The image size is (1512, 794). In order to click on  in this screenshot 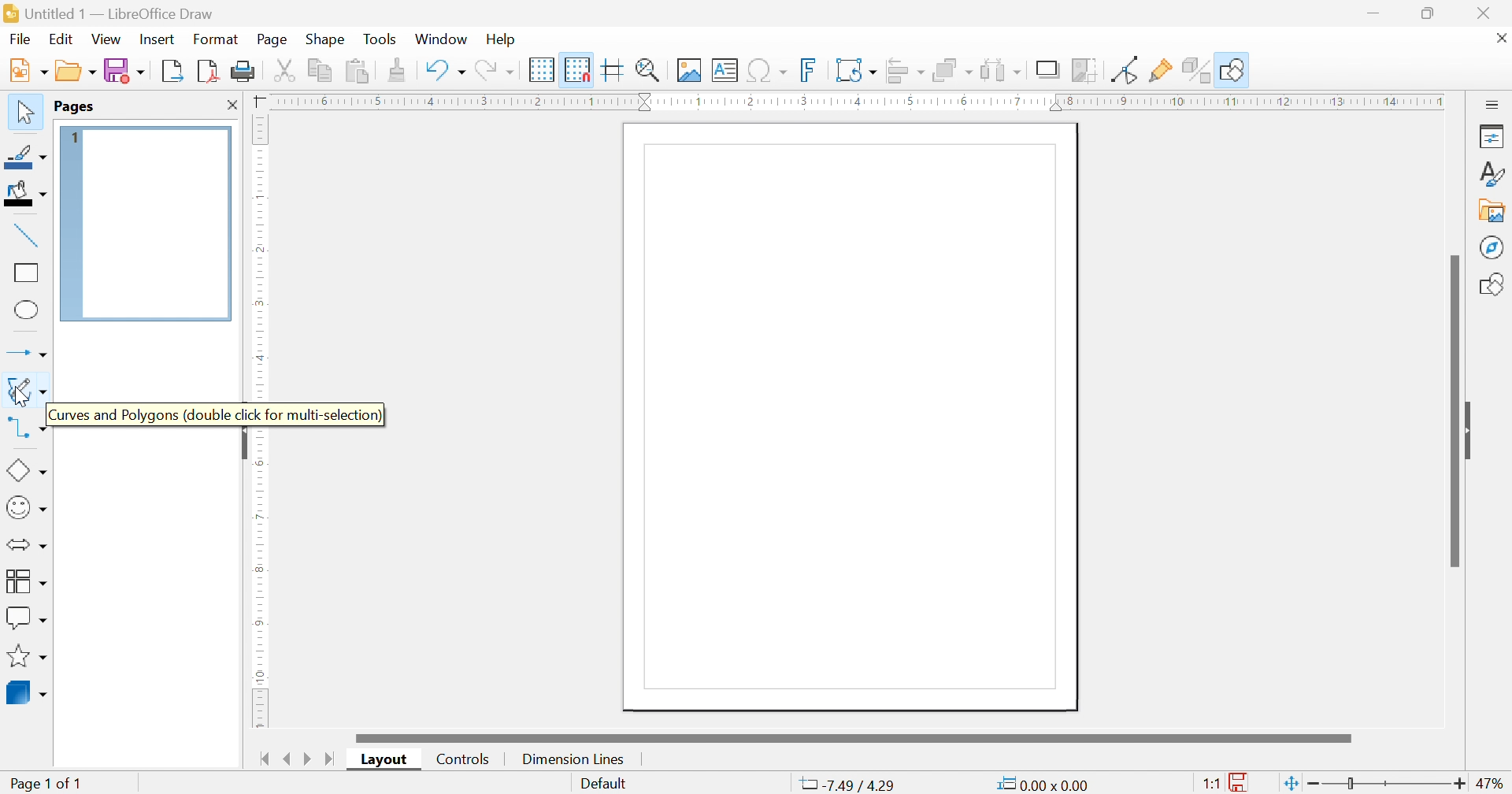, I will do `click(21, 39)`.